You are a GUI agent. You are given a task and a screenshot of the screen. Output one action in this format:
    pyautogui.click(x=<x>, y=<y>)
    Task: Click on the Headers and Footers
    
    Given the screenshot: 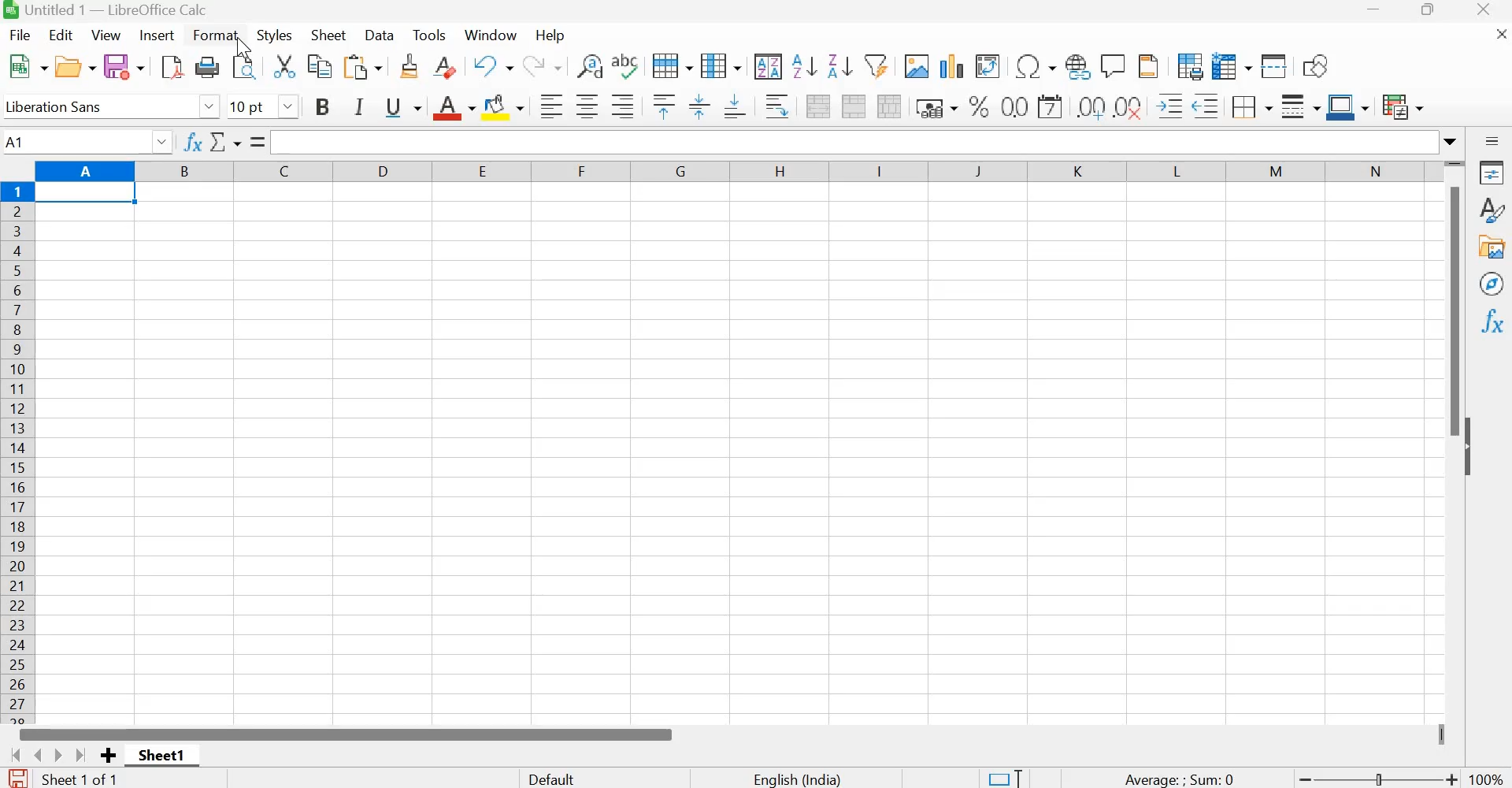 What is the action you would take?
    pyautogui.click(x=1147, y=65)
    